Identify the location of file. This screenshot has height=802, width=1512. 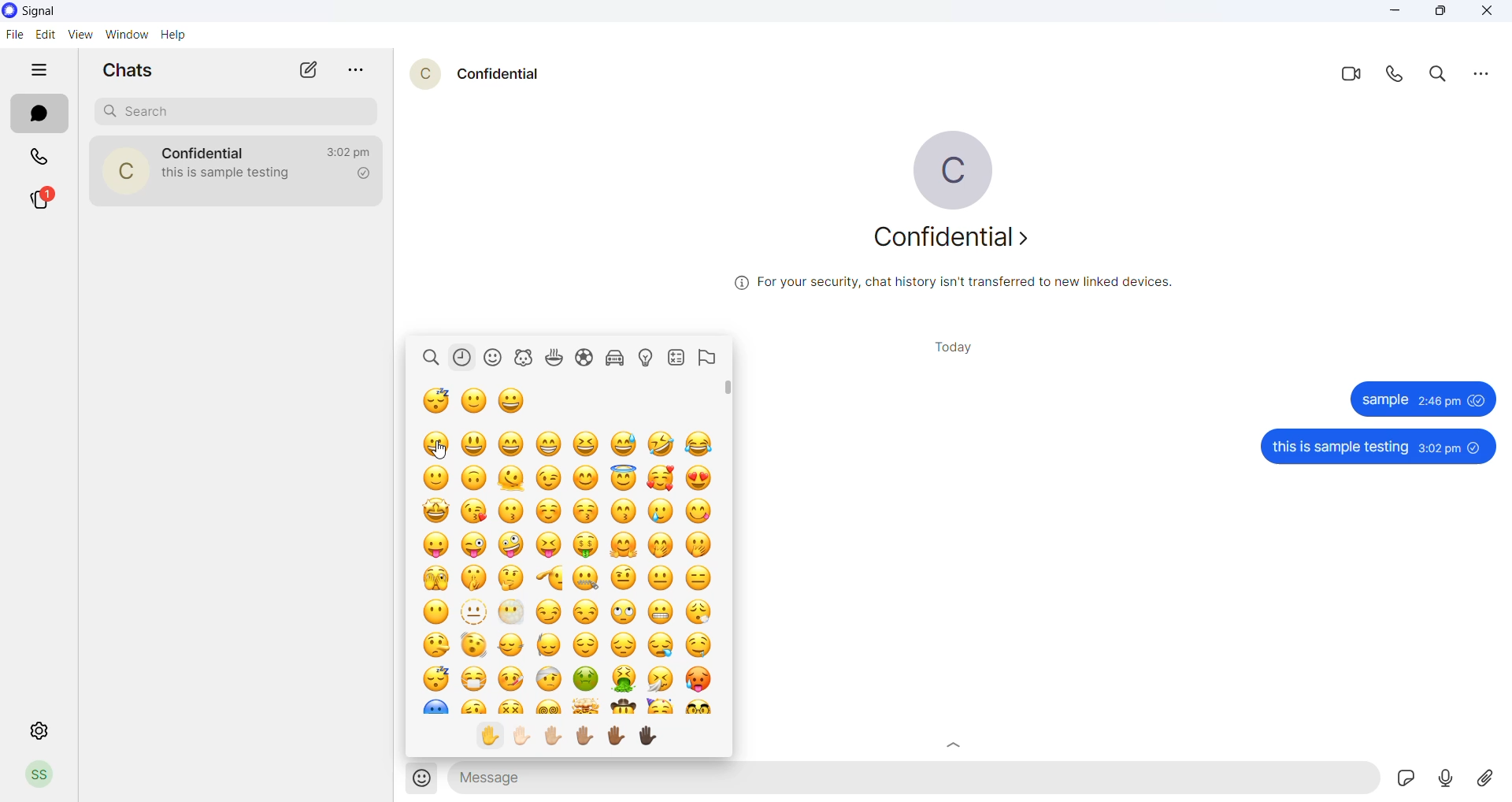
(14, 35).